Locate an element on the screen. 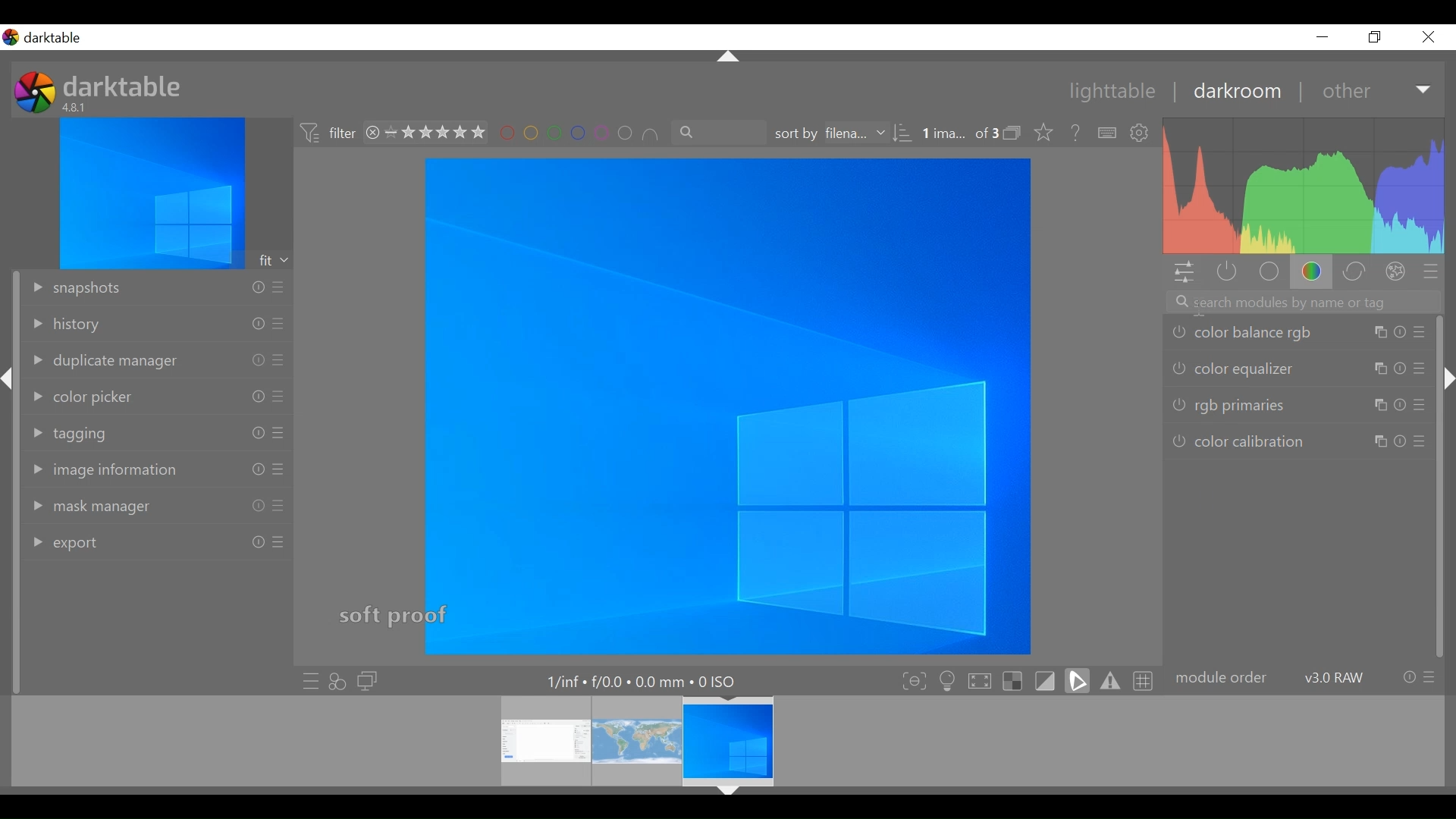 This screenshot has height=819, width=1456. quick access to presets is located at coordinates (306, 680).